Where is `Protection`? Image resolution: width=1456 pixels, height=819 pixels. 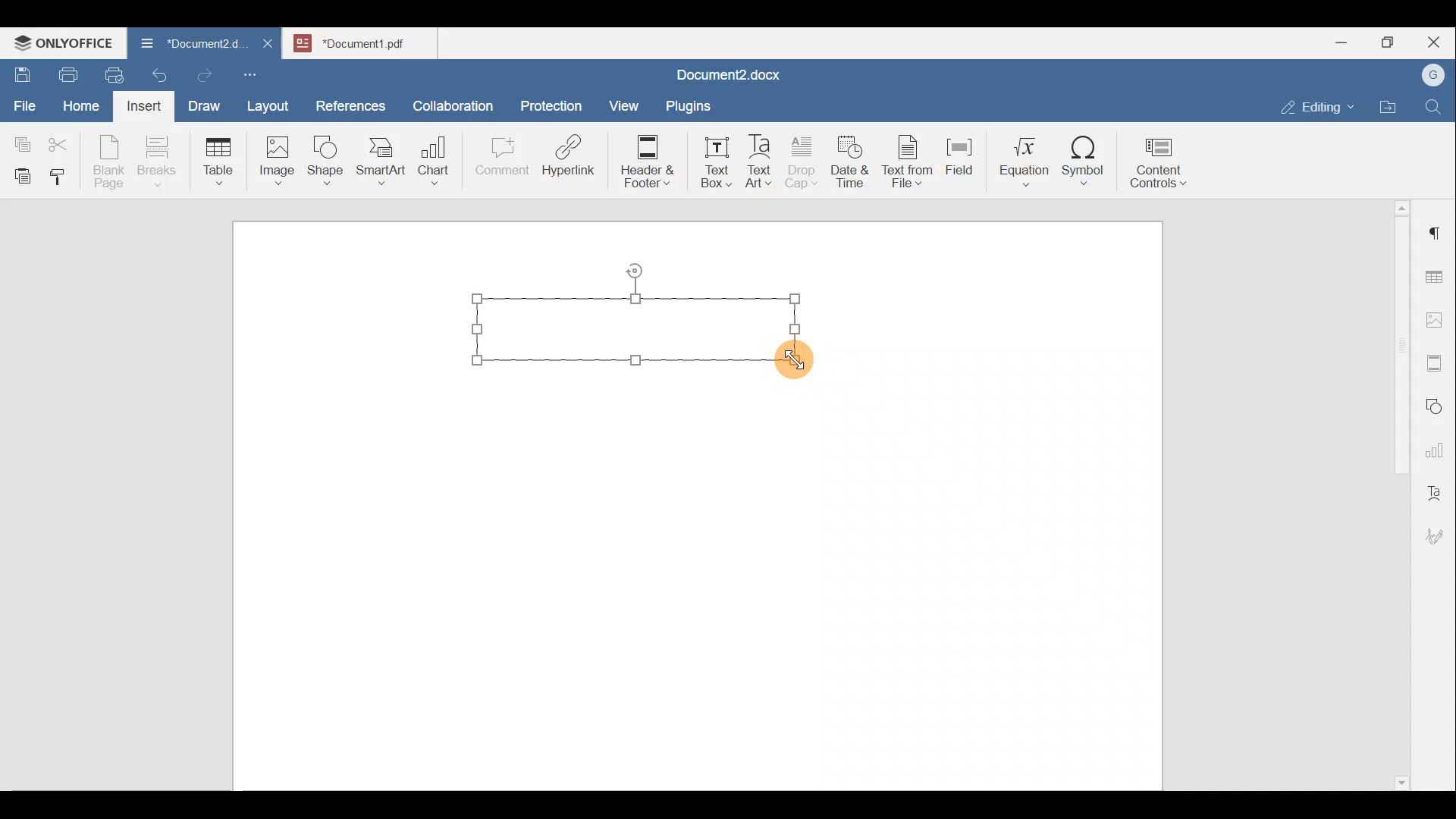
Protection is located at coordinates (556, 104).